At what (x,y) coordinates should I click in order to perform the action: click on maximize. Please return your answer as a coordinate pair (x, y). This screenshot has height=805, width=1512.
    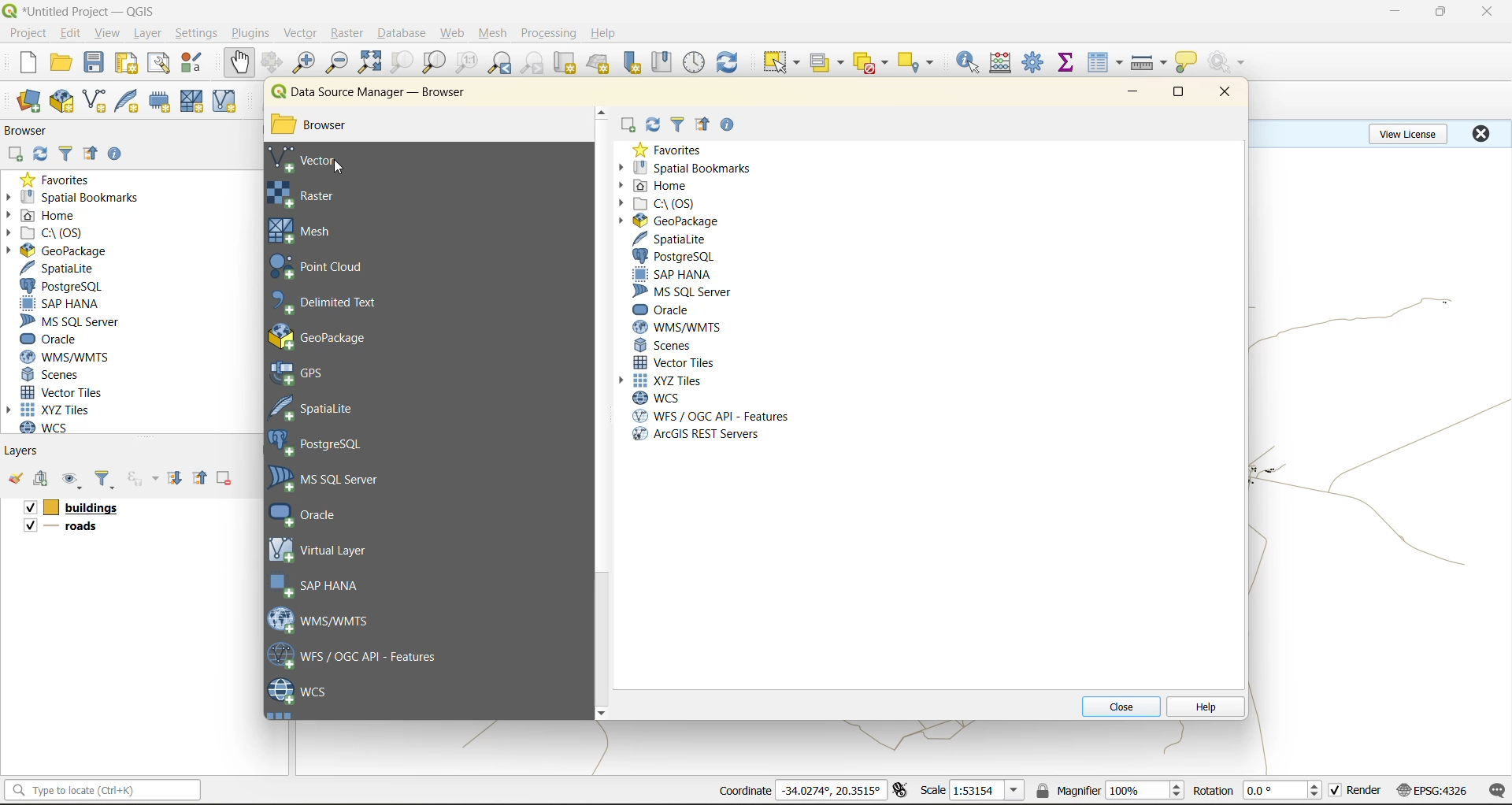
    Looking at the image, I should click on (1180, 95).